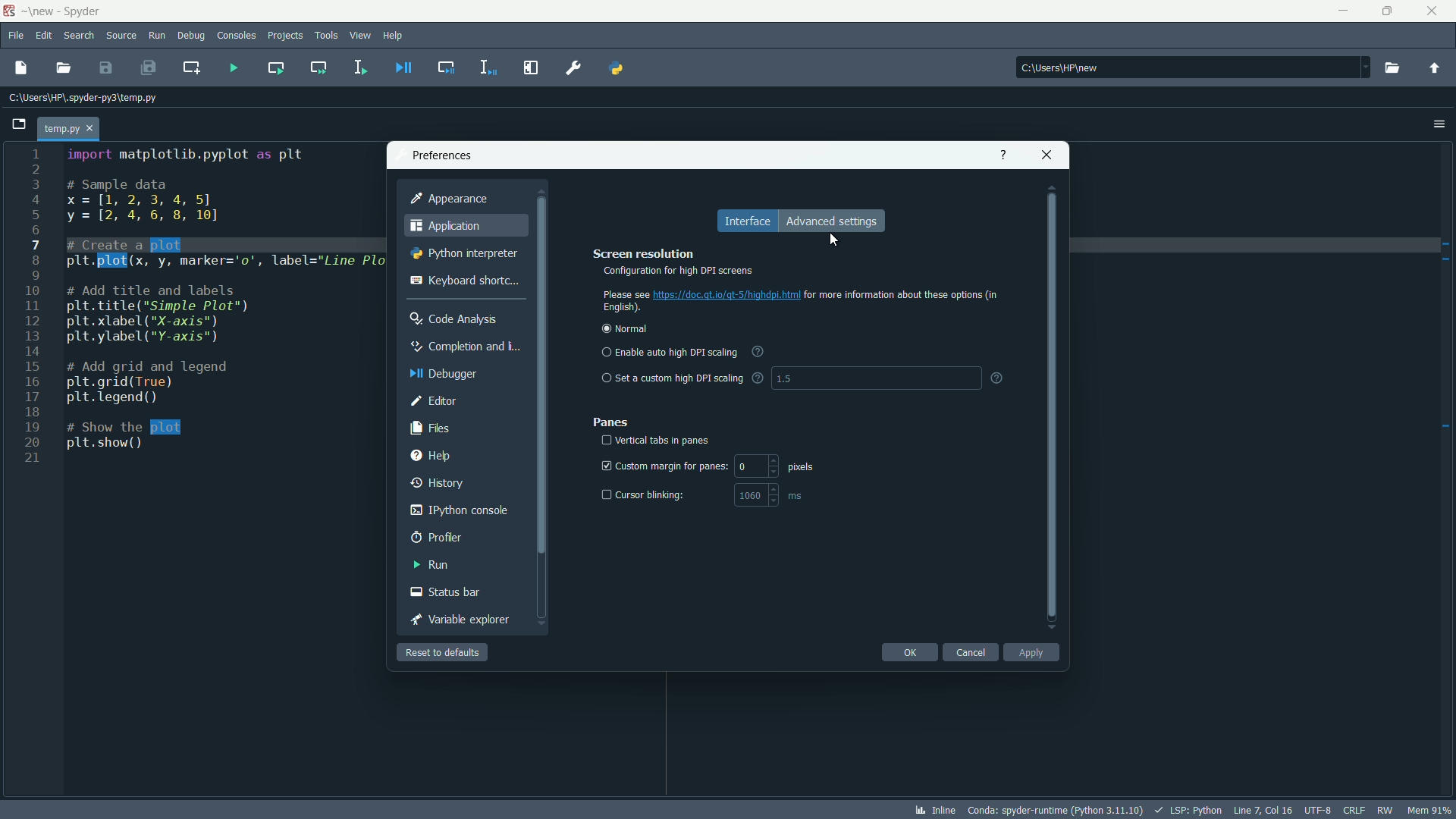  What do you see at coordinates (664, 441) in the screenshot?
I see `vertical tabs in panes` at bounding box center [664, 441].